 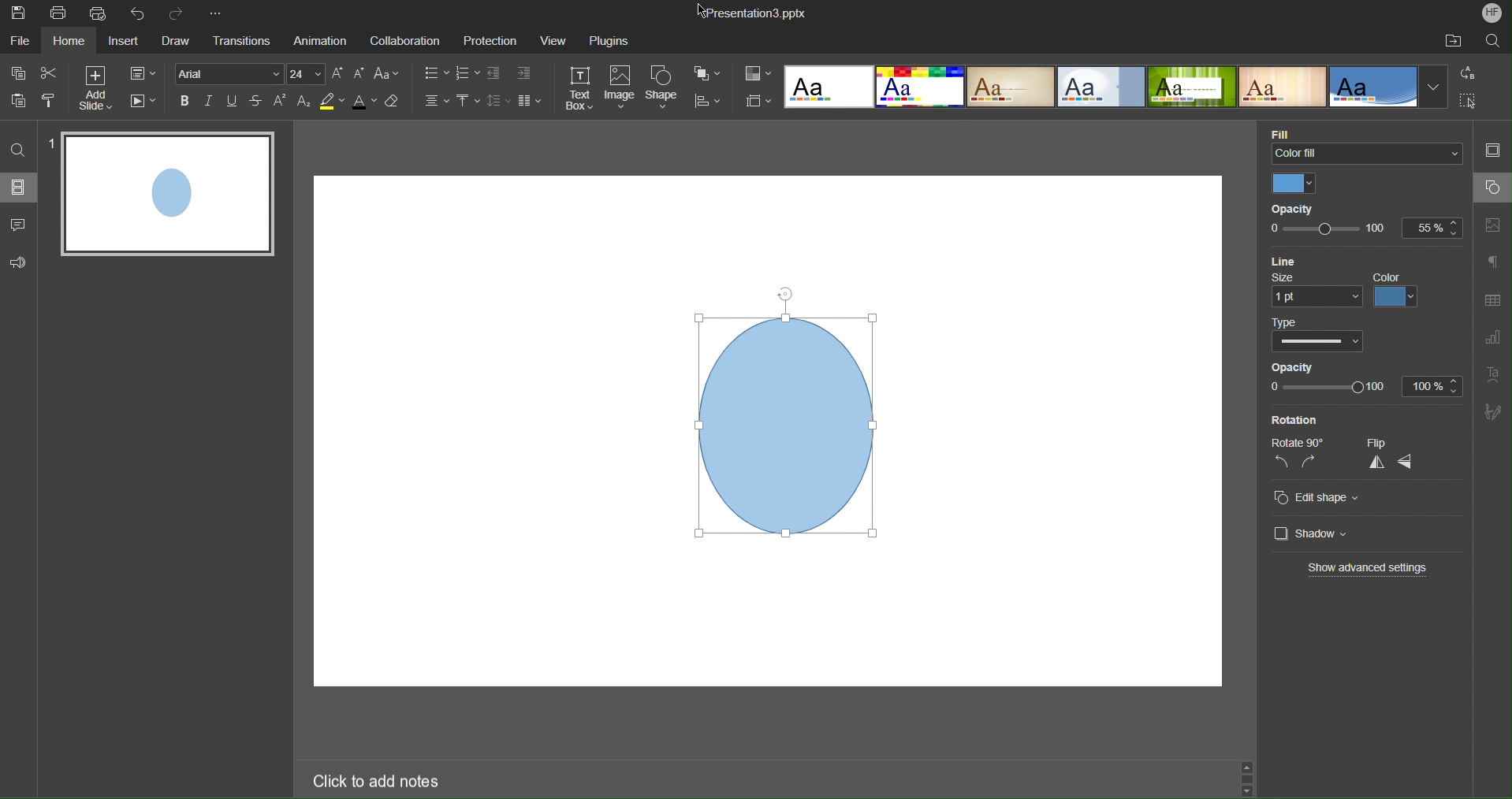 I want to click on Insert, so click(x=125, y=43).